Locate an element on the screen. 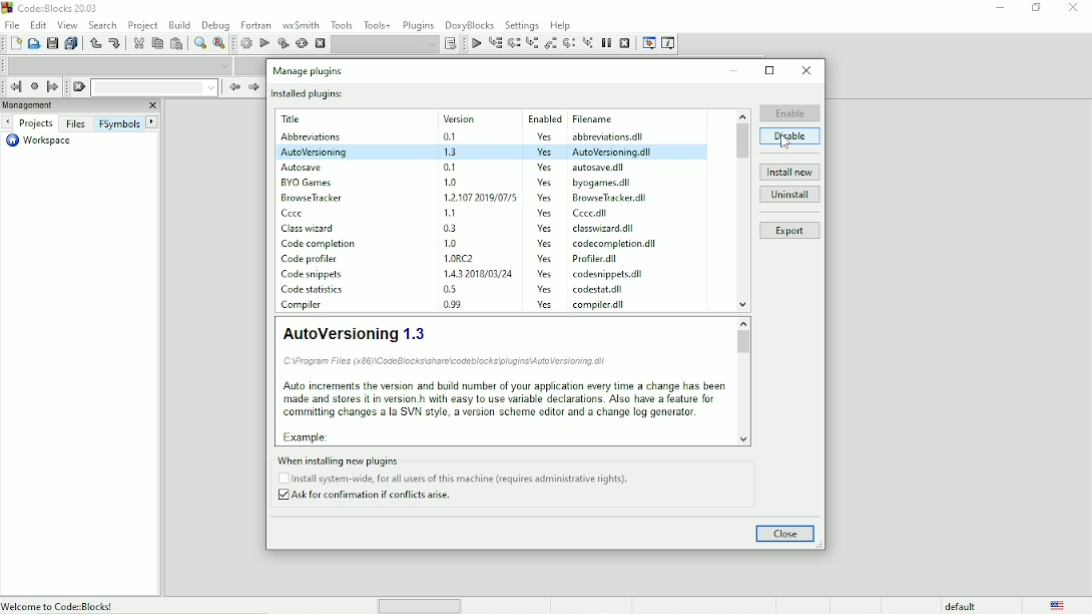 This screenshot has height=614, width=1092. Close is located at coordinates (807, 70).